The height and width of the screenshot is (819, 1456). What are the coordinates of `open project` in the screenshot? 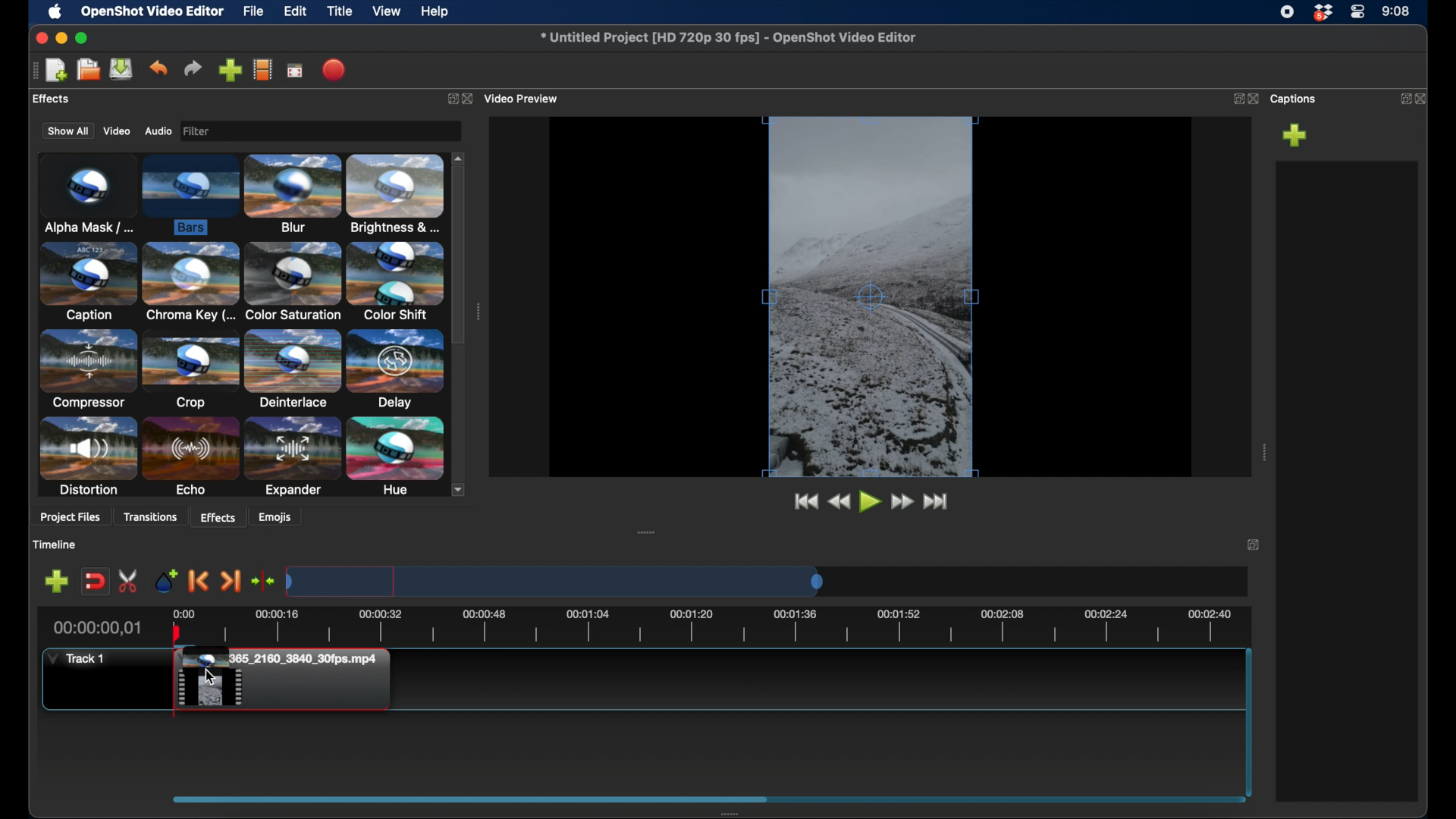 It's located at (86, 70).